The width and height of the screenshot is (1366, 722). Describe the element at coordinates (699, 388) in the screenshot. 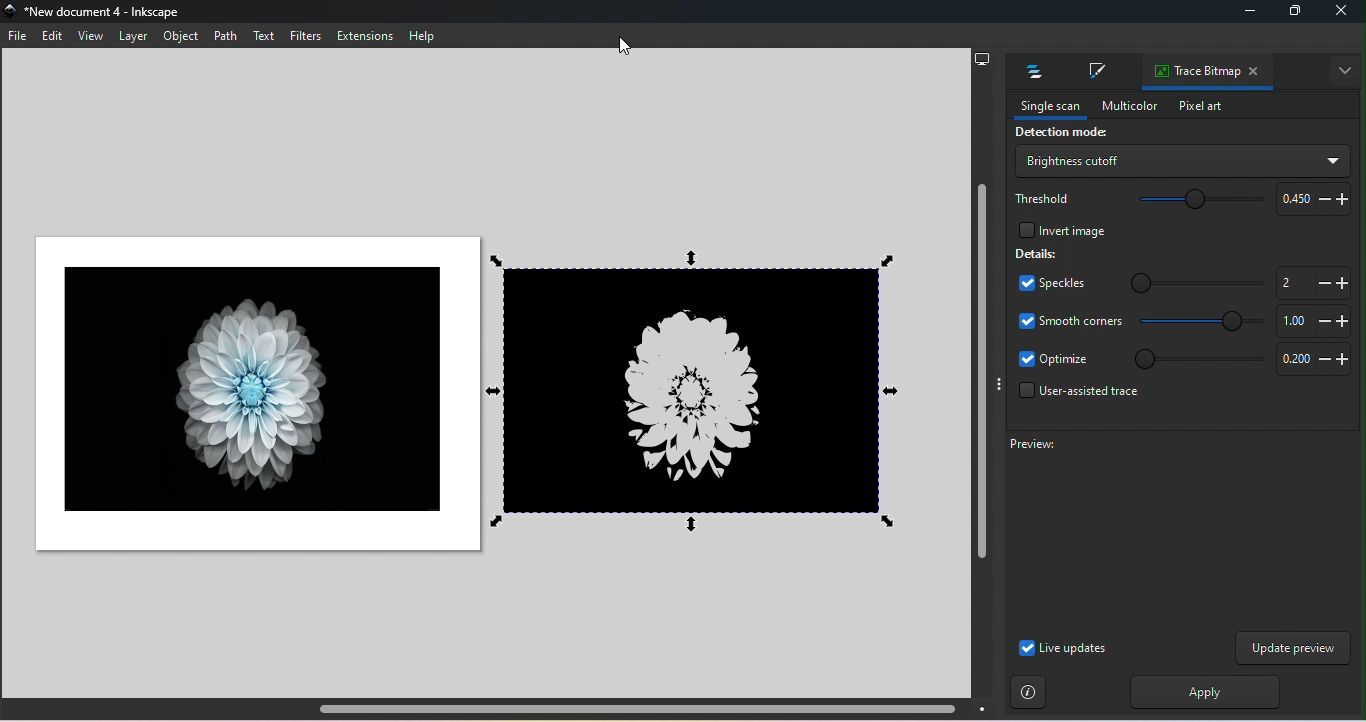

I see `Traced image` at that location.